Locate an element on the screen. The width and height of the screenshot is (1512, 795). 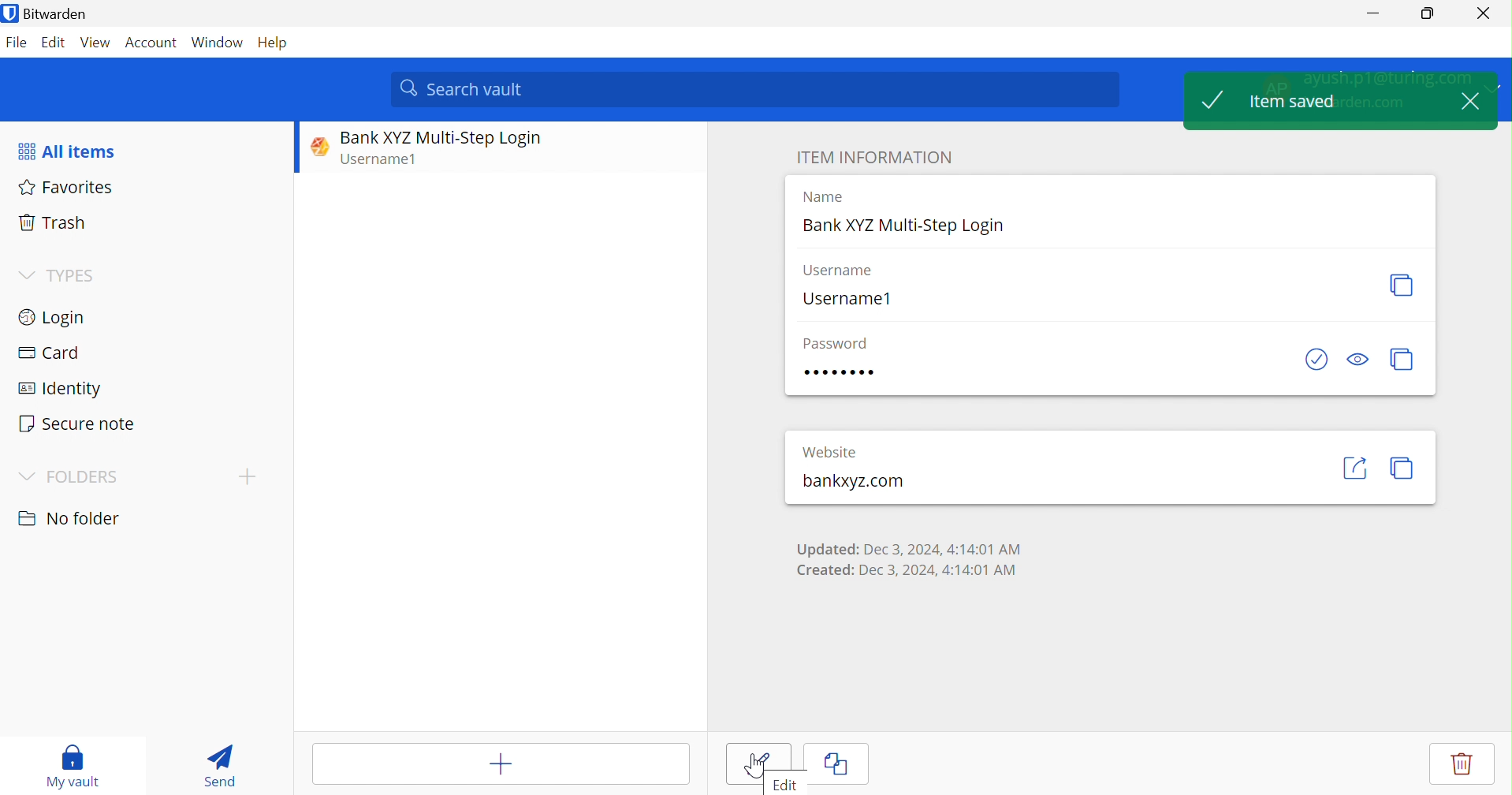
Cancel is located at coordinates (847, 763).